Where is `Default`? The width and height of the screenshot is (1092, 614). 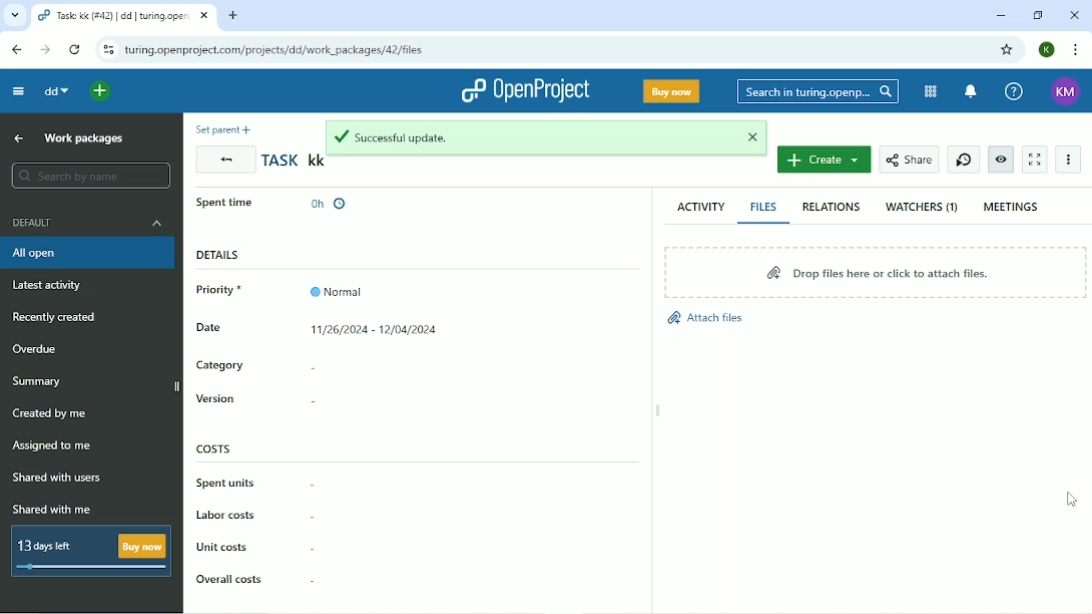
Default is located at coordinates (85, 222).